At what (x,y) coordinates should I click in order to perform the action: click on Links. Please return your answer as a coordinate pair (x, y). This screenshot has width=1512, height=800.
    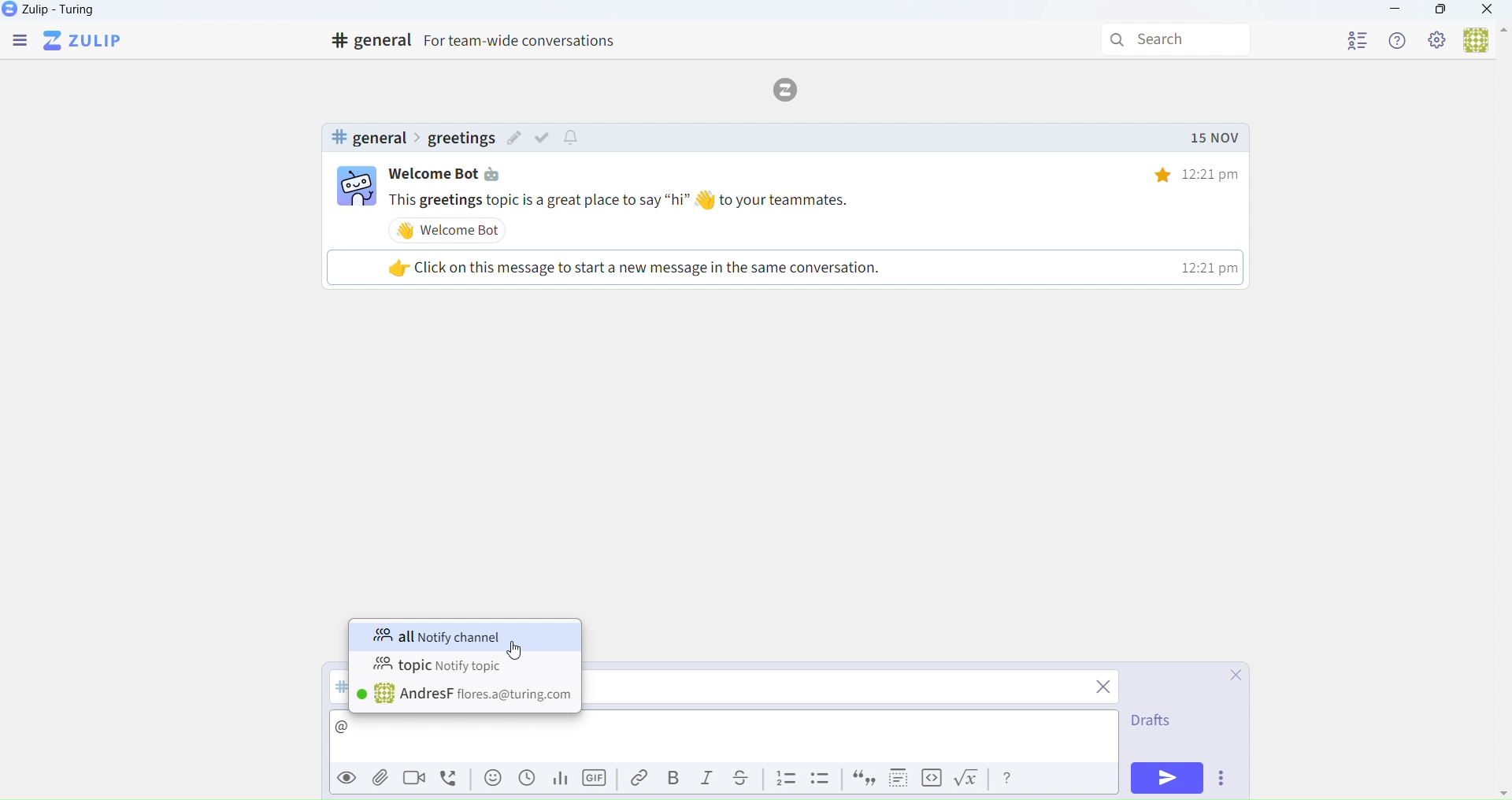
    Looking at the image, I should click on (635, 779).